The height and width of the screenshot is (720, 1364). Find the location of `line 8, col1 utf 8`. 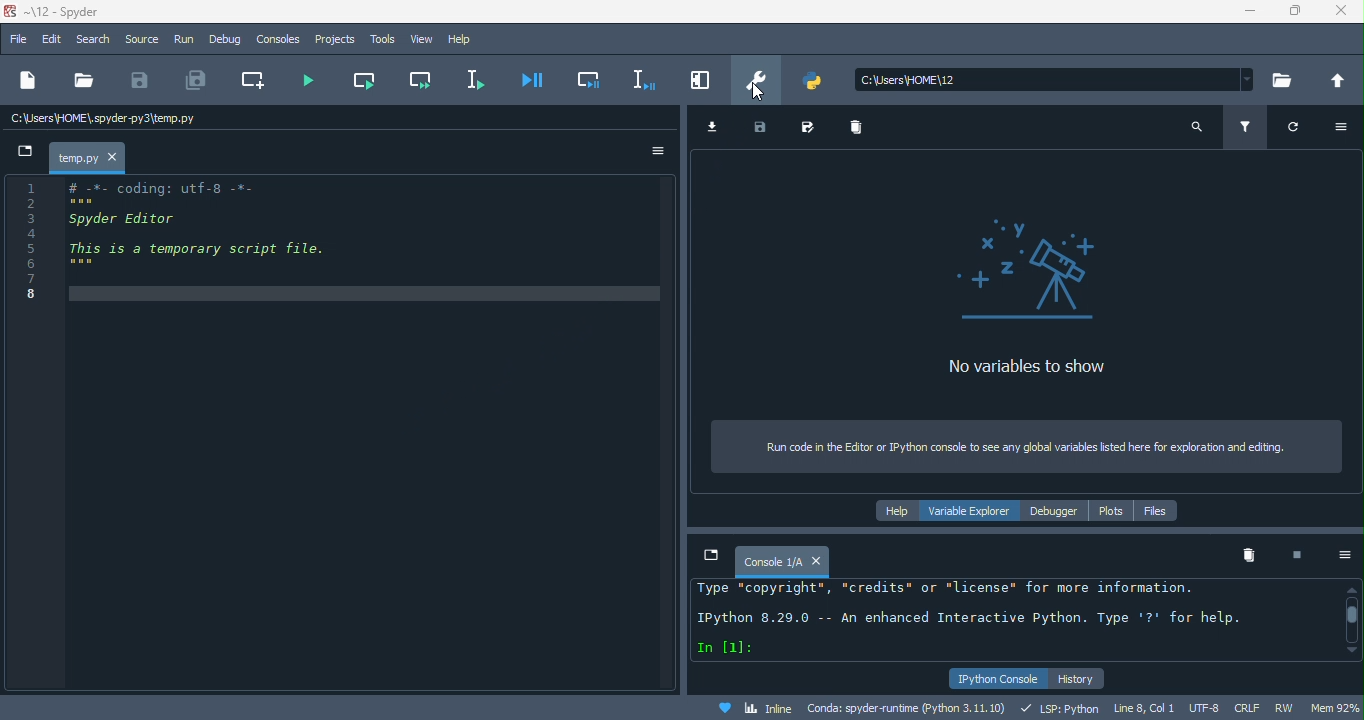

line 8, col1 utf 8 is located at coordinates (1169, 708).